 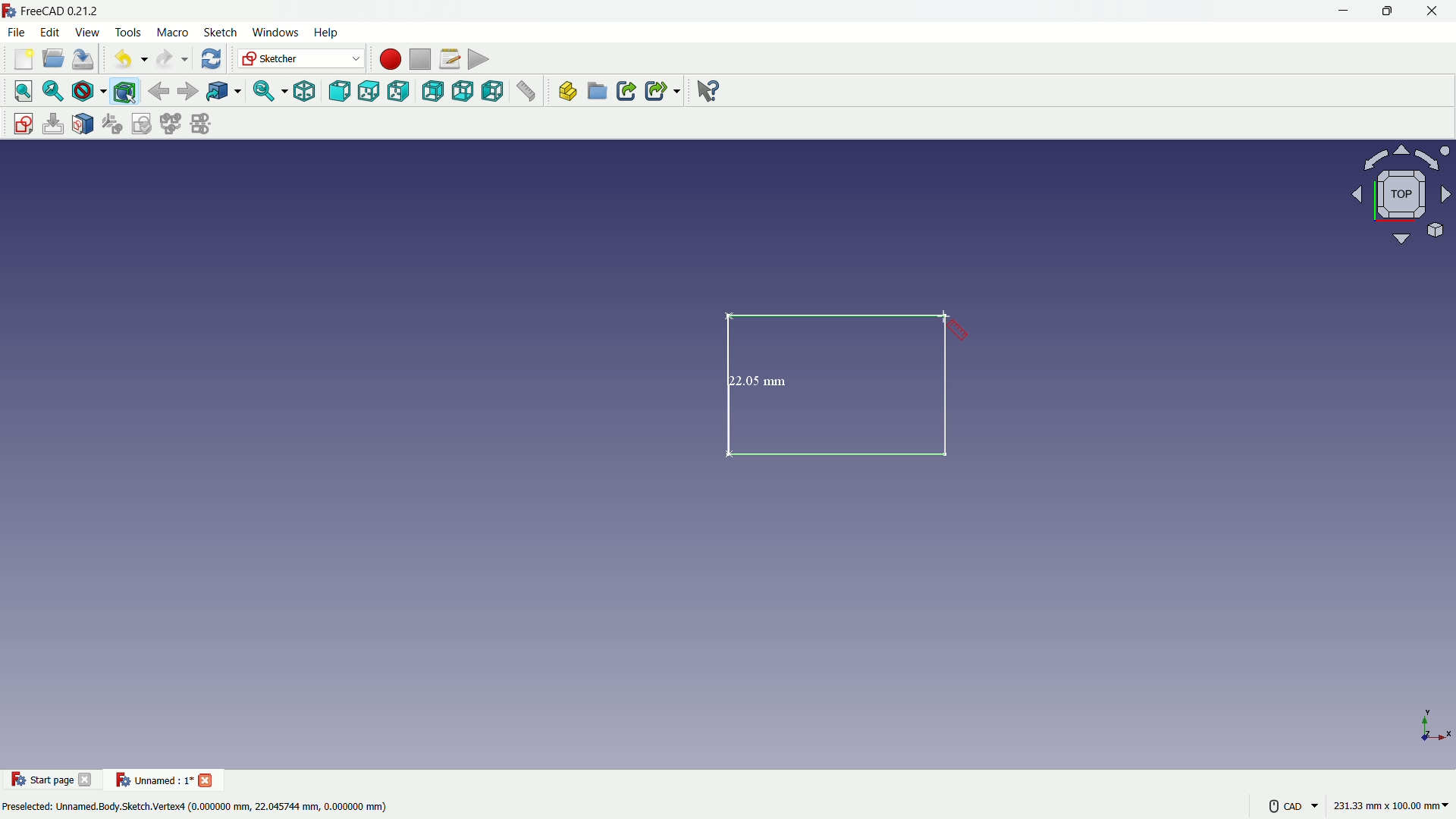 I want to click on close start page, so click(x=87, y=783).